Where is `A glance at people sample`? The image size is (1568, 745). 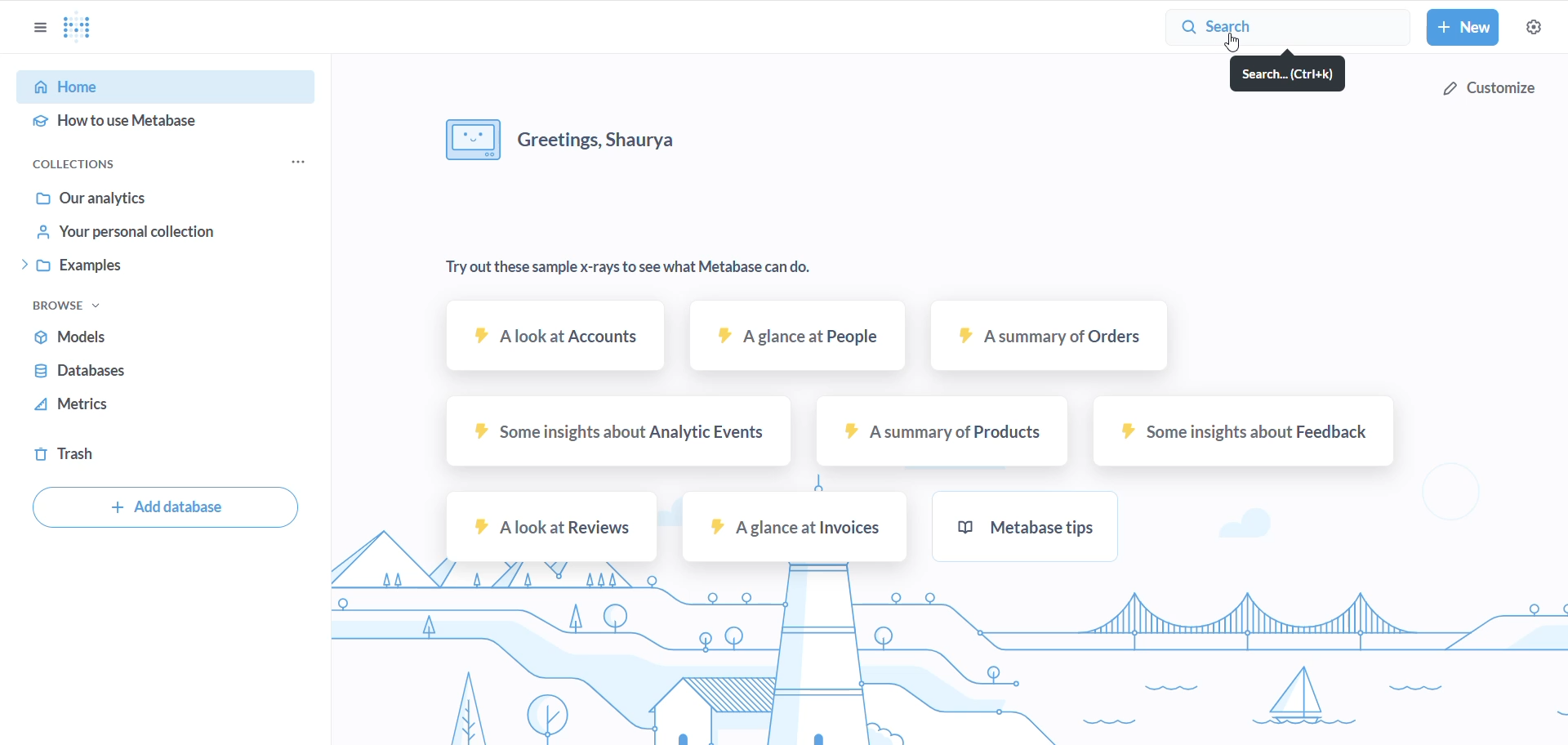
A glance at people sample is located at coordinates (797, 338).